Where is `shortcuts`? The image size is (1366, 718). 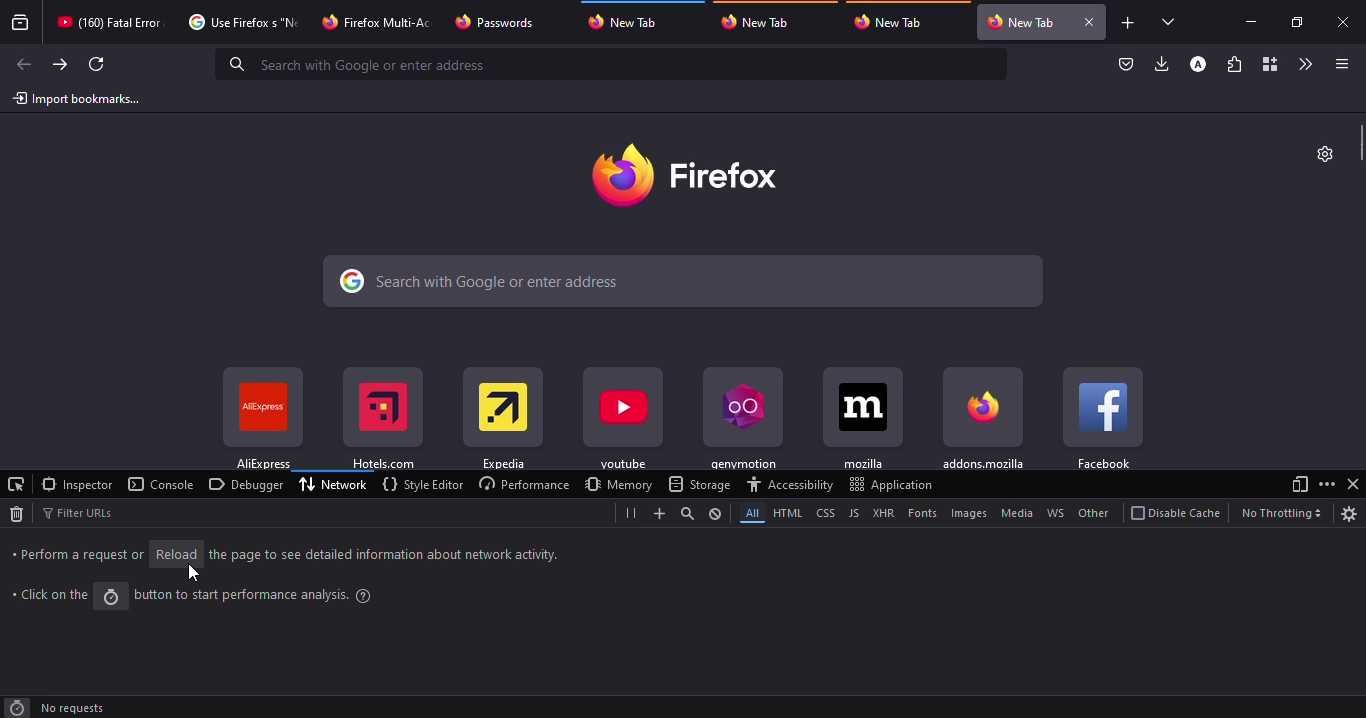
shortcuts is located at coordinates (503, 420).